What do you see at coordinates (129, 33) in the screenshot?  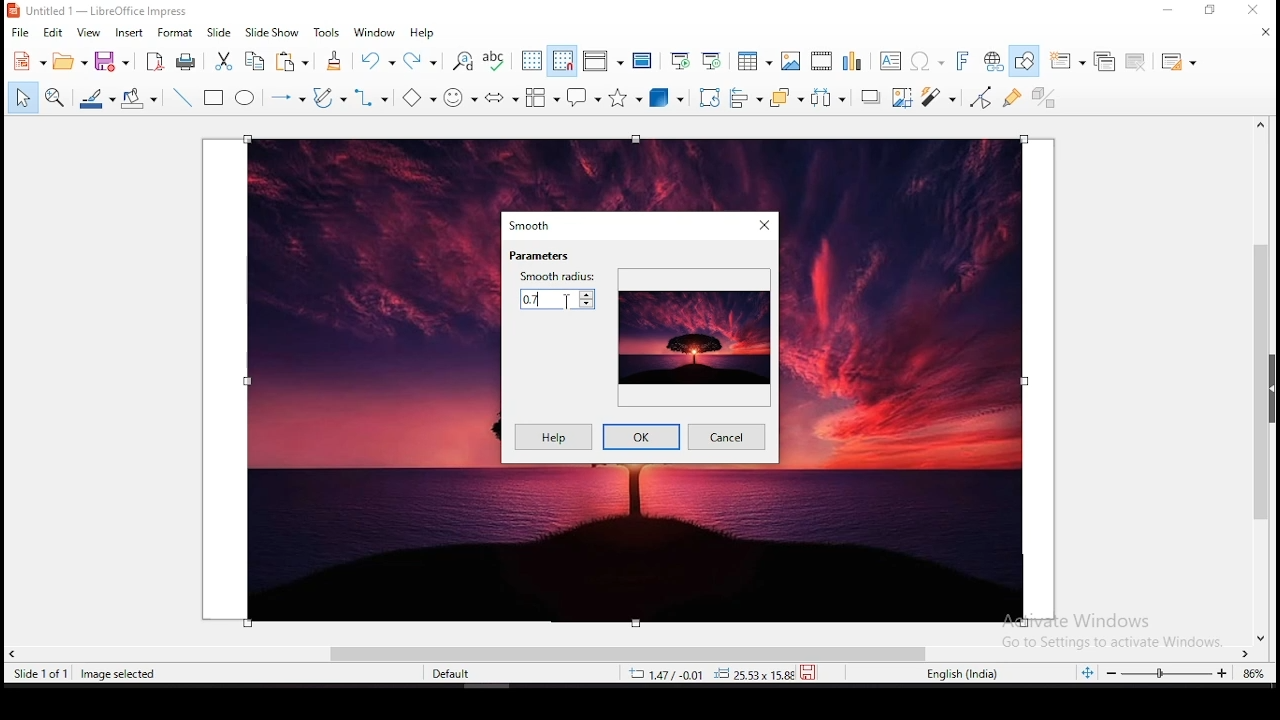 I see `insert` at bounding box center [129, 33].